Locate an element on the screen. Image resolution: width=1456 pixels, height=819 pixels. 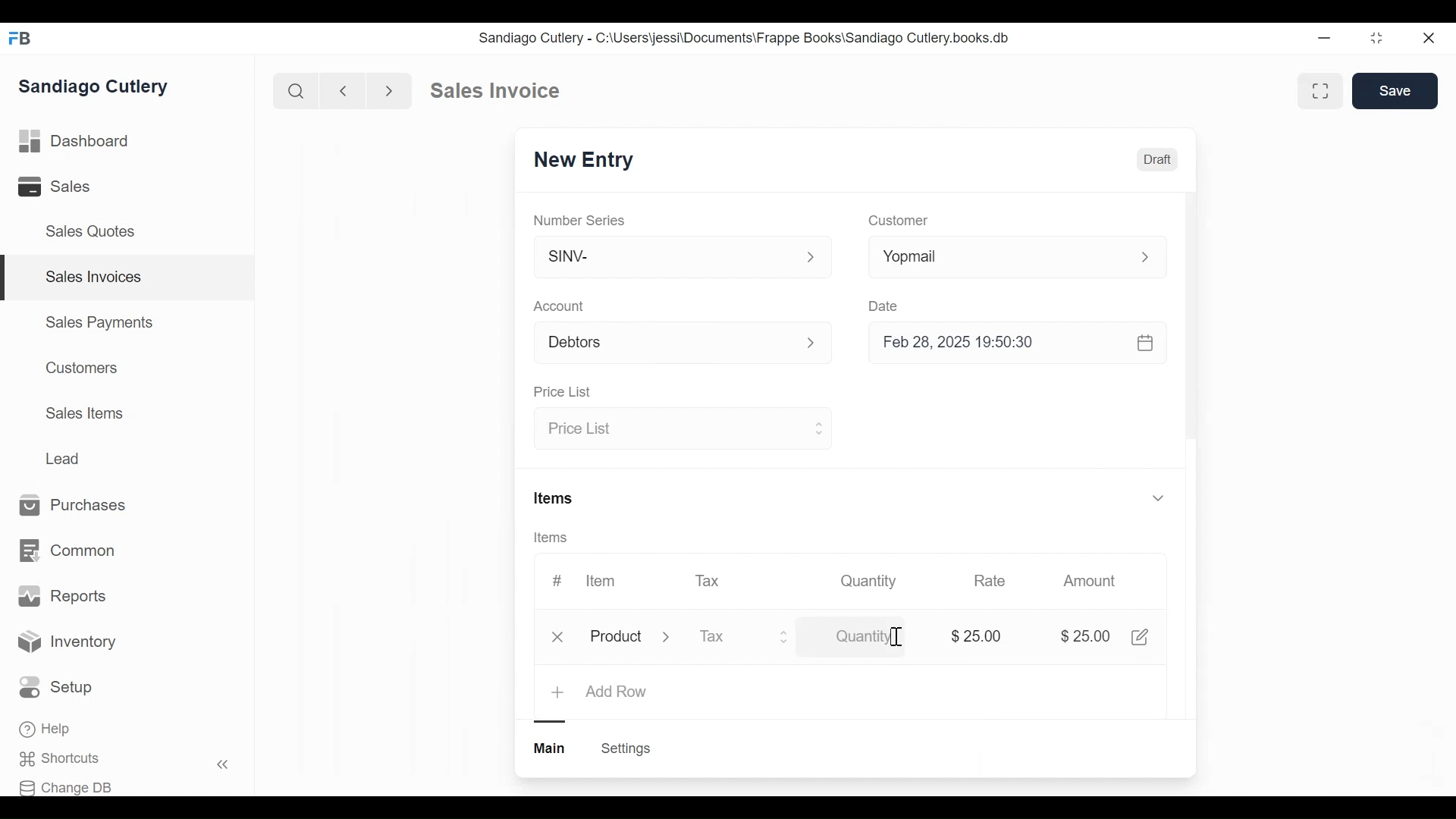
Change DB is located at coordinates (66, 788).